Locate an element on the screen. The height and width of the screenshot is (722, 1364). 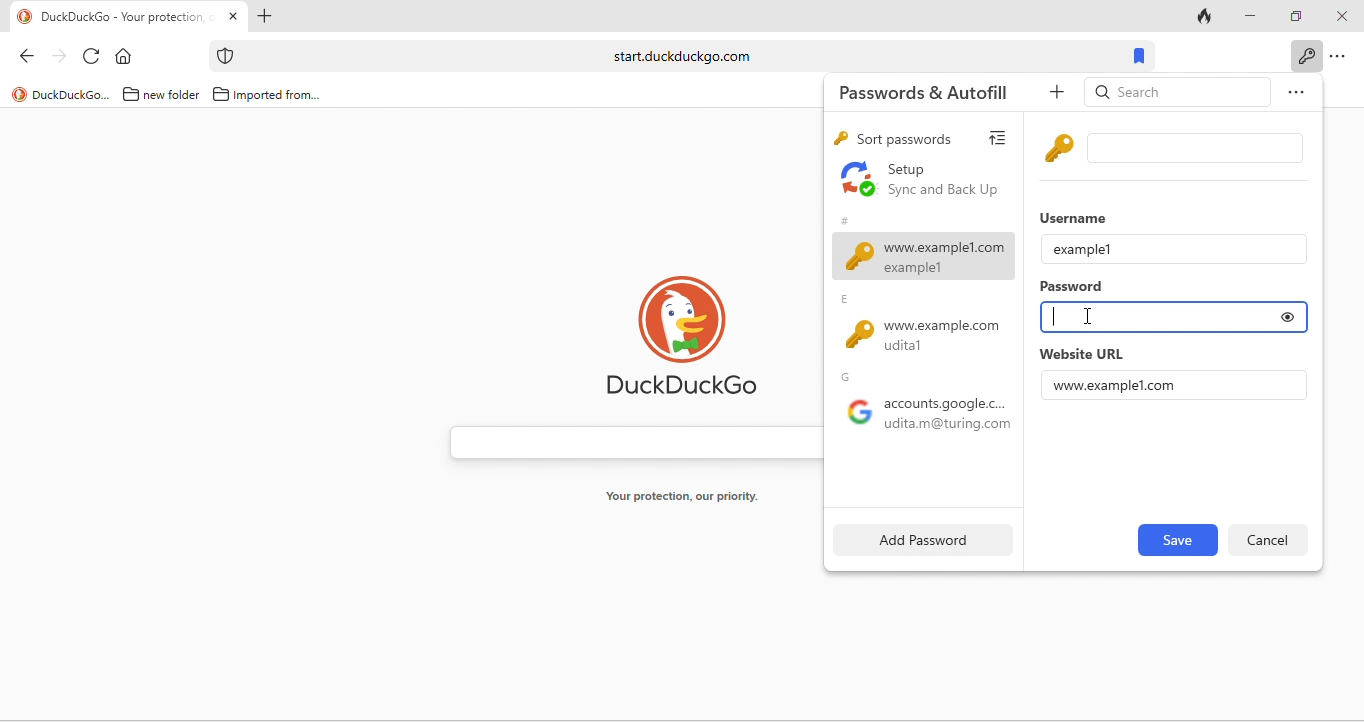
back is located at coordinates (21, 54).